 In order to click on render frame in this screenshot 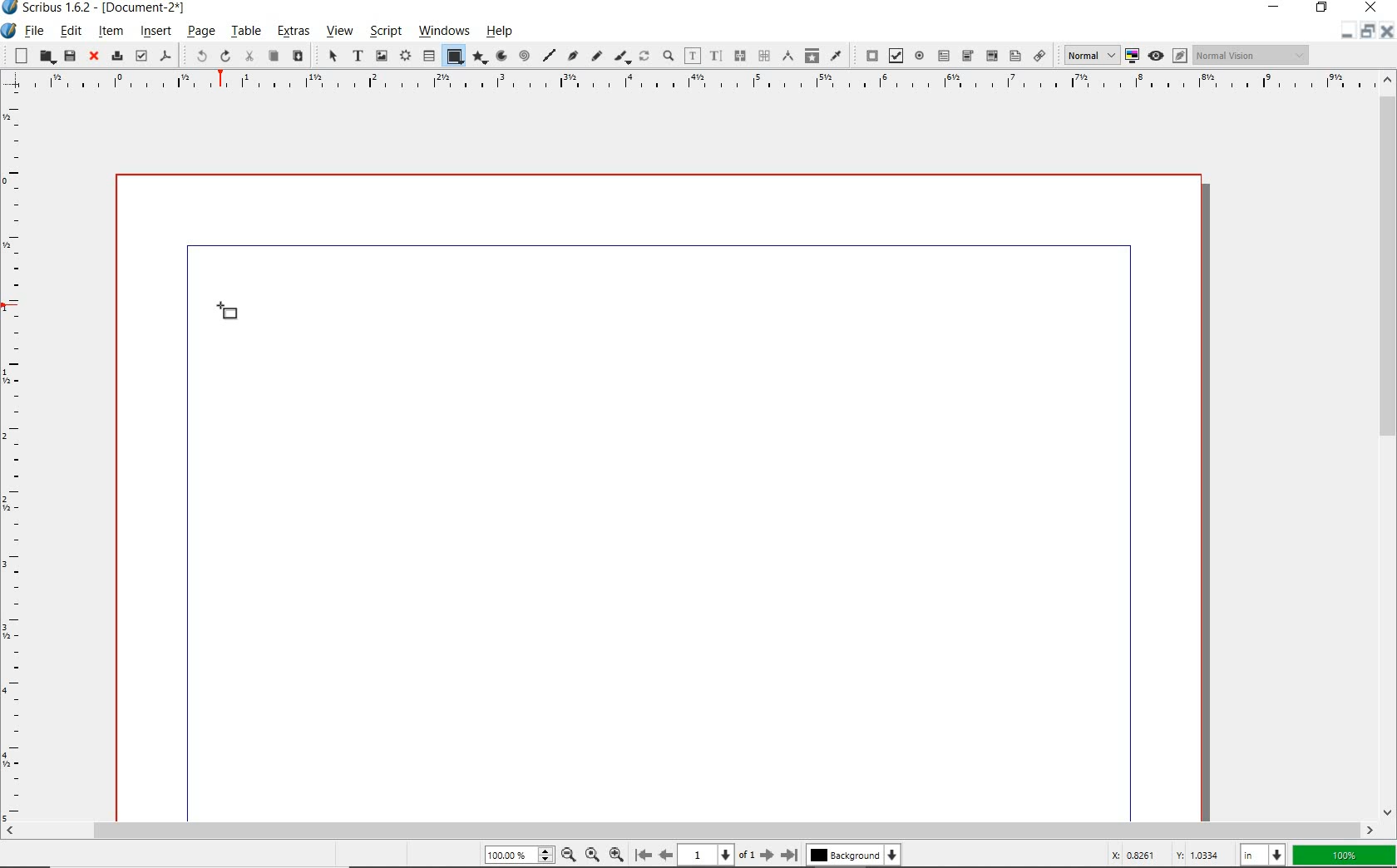, I will do `click(404, 57)`.